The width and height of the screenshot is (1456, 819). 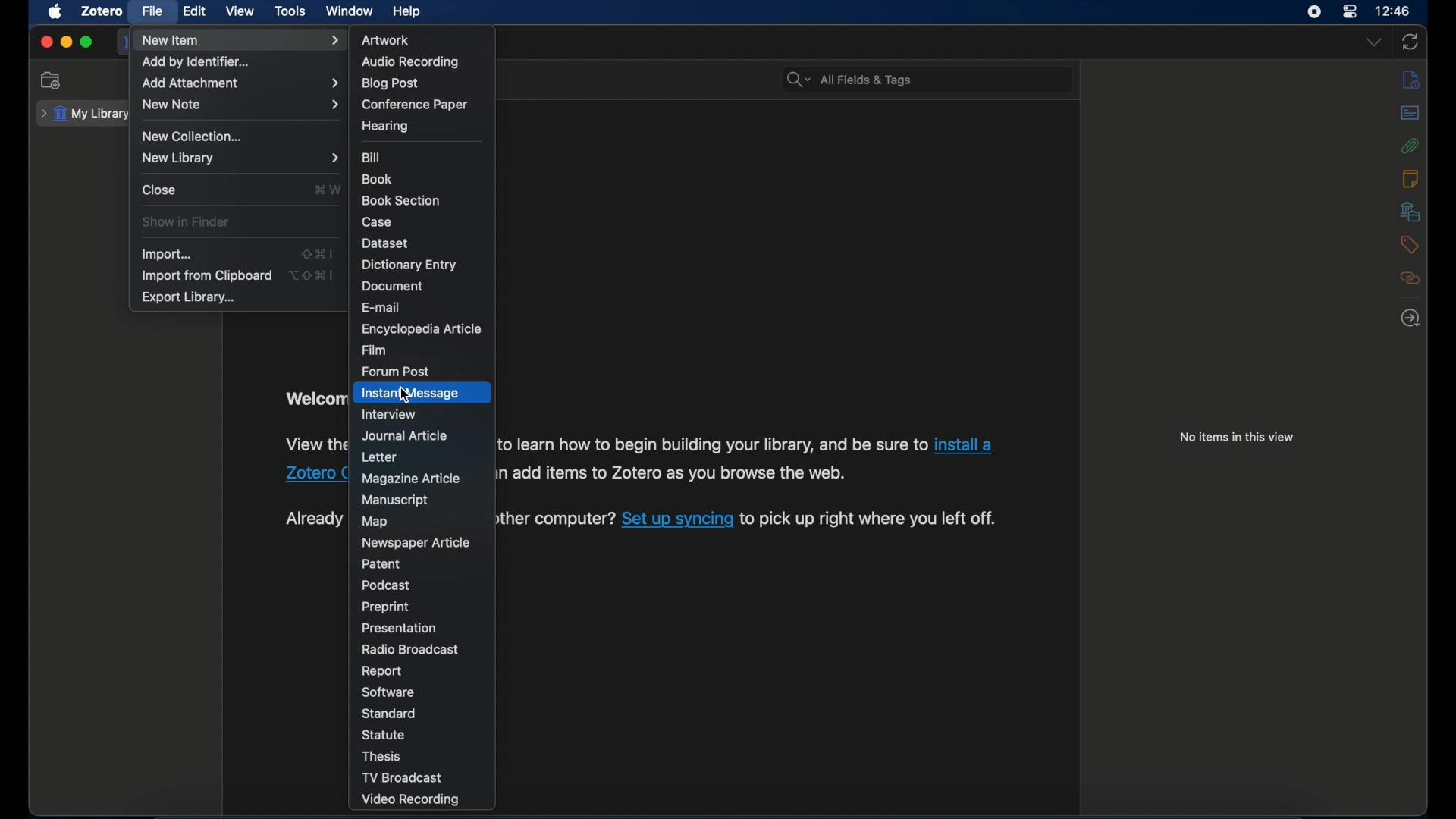 What do you see at coordinates (1410, 42) in the screenshot?
I see `sync` at bounding box center [1410, 42].